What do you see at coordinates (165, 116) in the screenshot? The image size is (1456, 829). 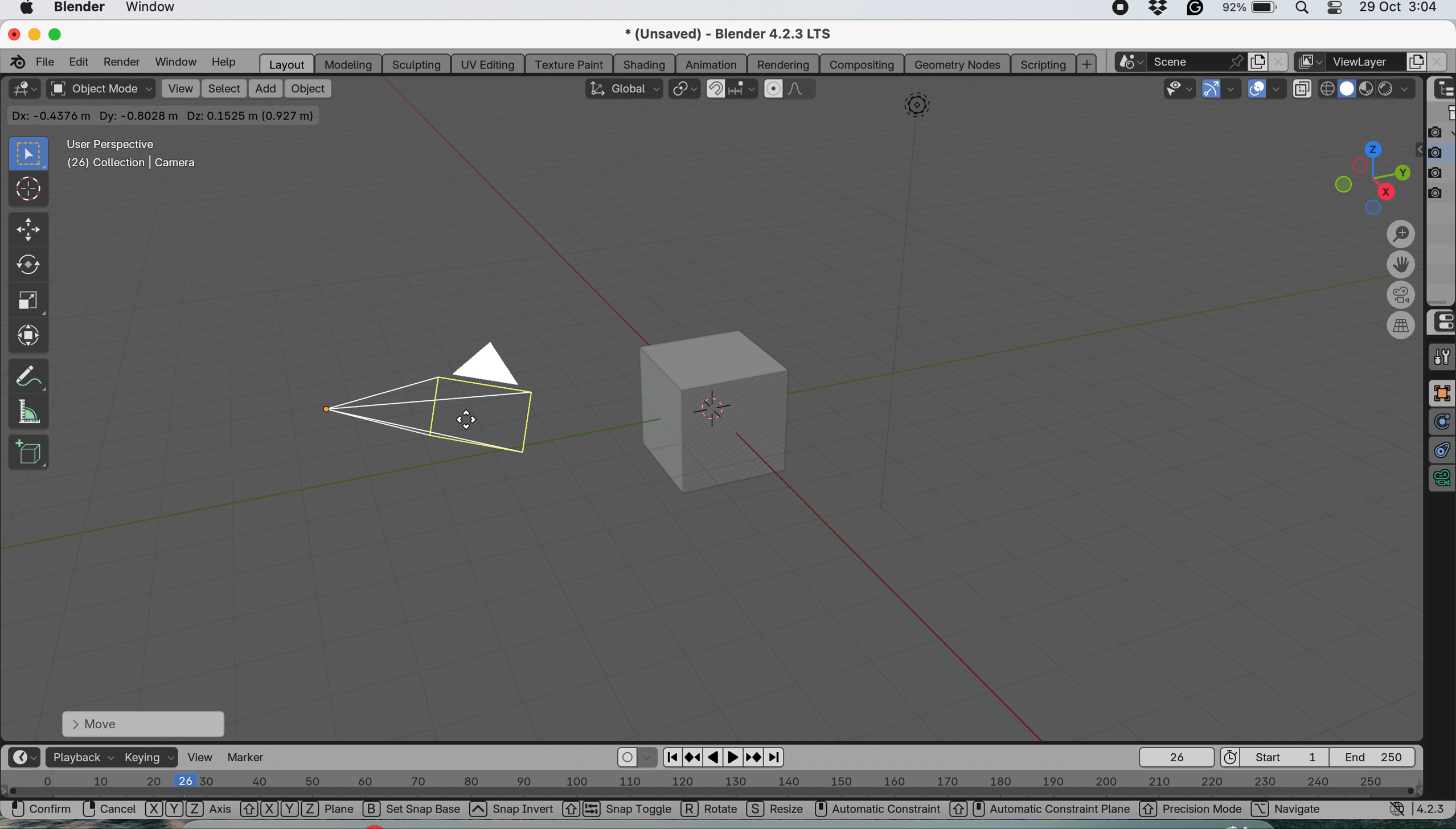 I see `Dc- 0.4376 m Dy- 0.8028 m Dz-0.1525 m  (0.927 m)` at bounding box center [165, 116].